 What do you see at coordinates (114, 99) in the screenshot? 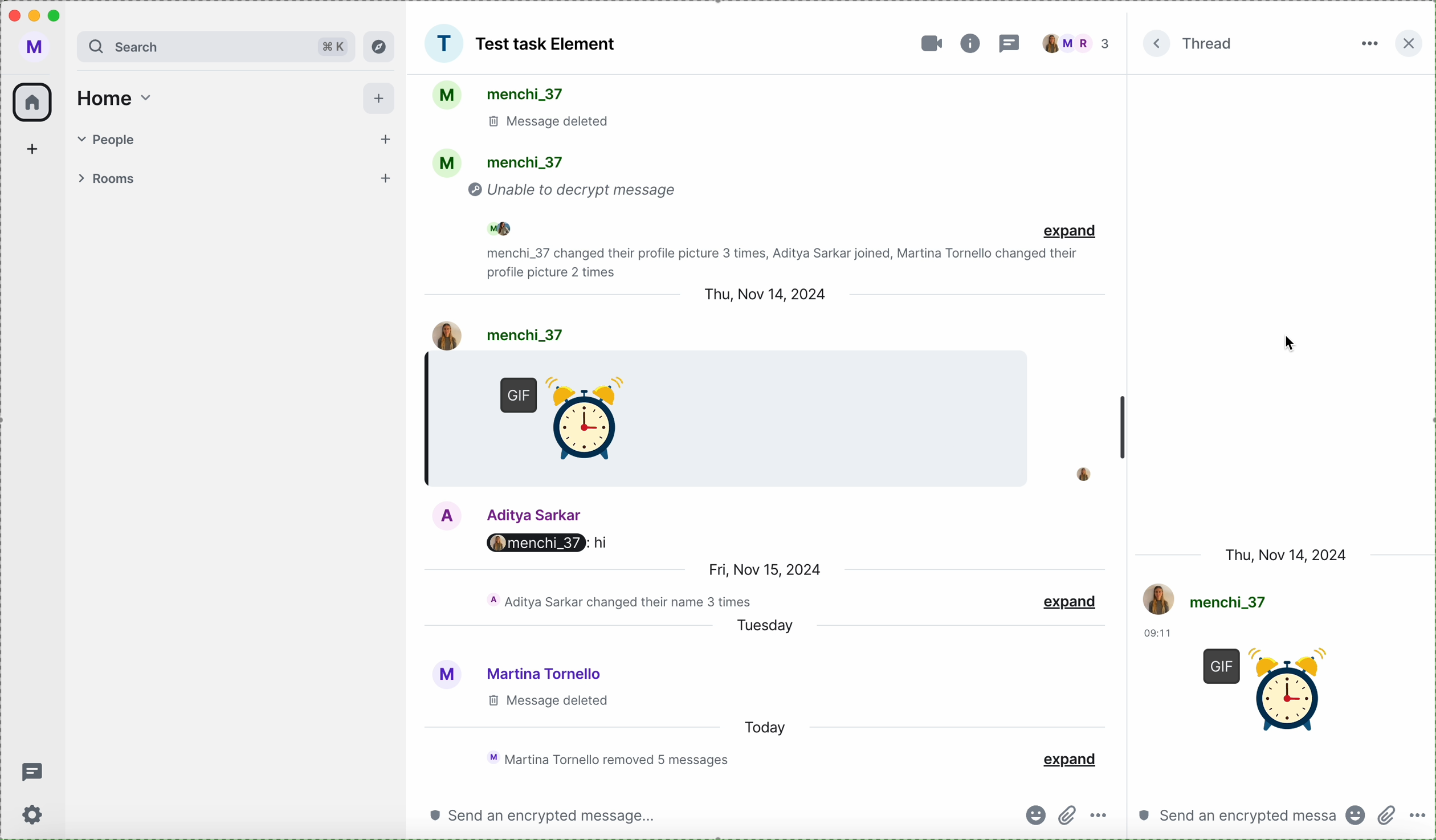
I see `home` at bounding box center [114, 99].